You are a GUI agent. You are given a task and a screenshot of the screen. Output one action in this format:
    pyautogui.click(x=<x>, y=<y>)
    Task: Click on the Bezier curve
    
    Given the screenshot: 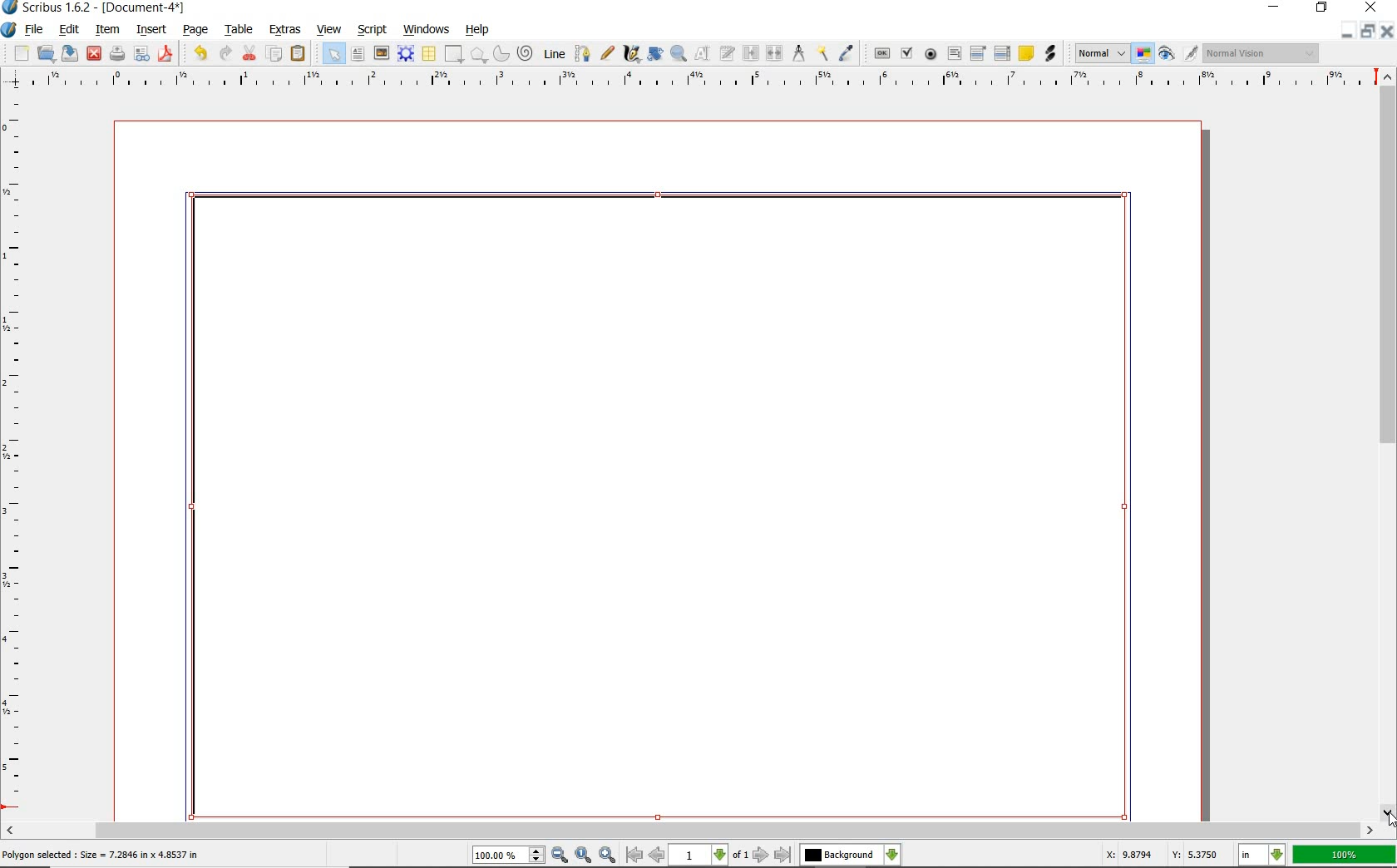 What is the action you would take?
    pyautogui.click(x=584, y=52)
    